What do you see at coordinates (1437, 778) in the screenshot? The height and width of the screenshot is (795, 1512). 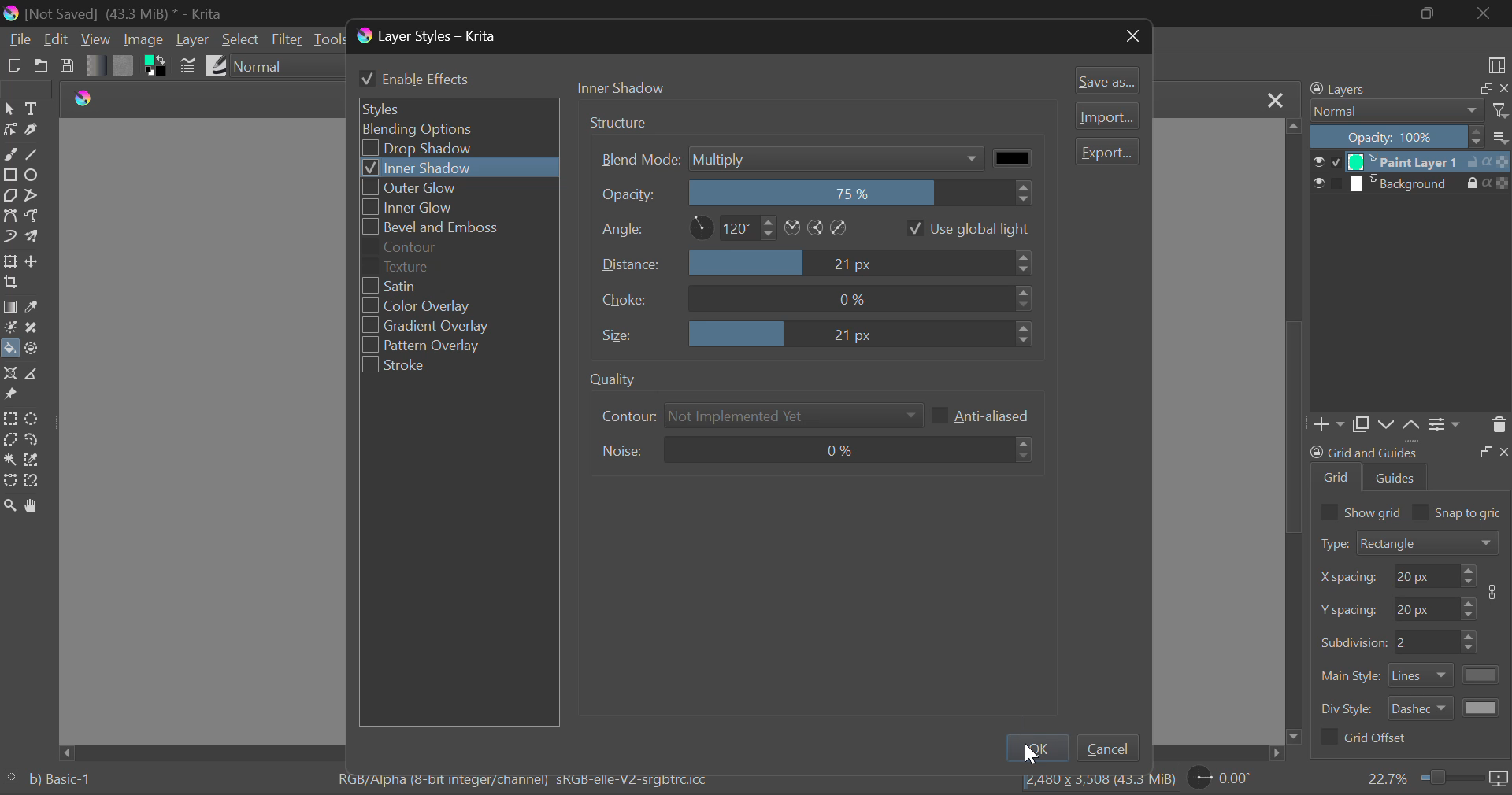 I see `Zoom` at bounding box center [1437, 778].